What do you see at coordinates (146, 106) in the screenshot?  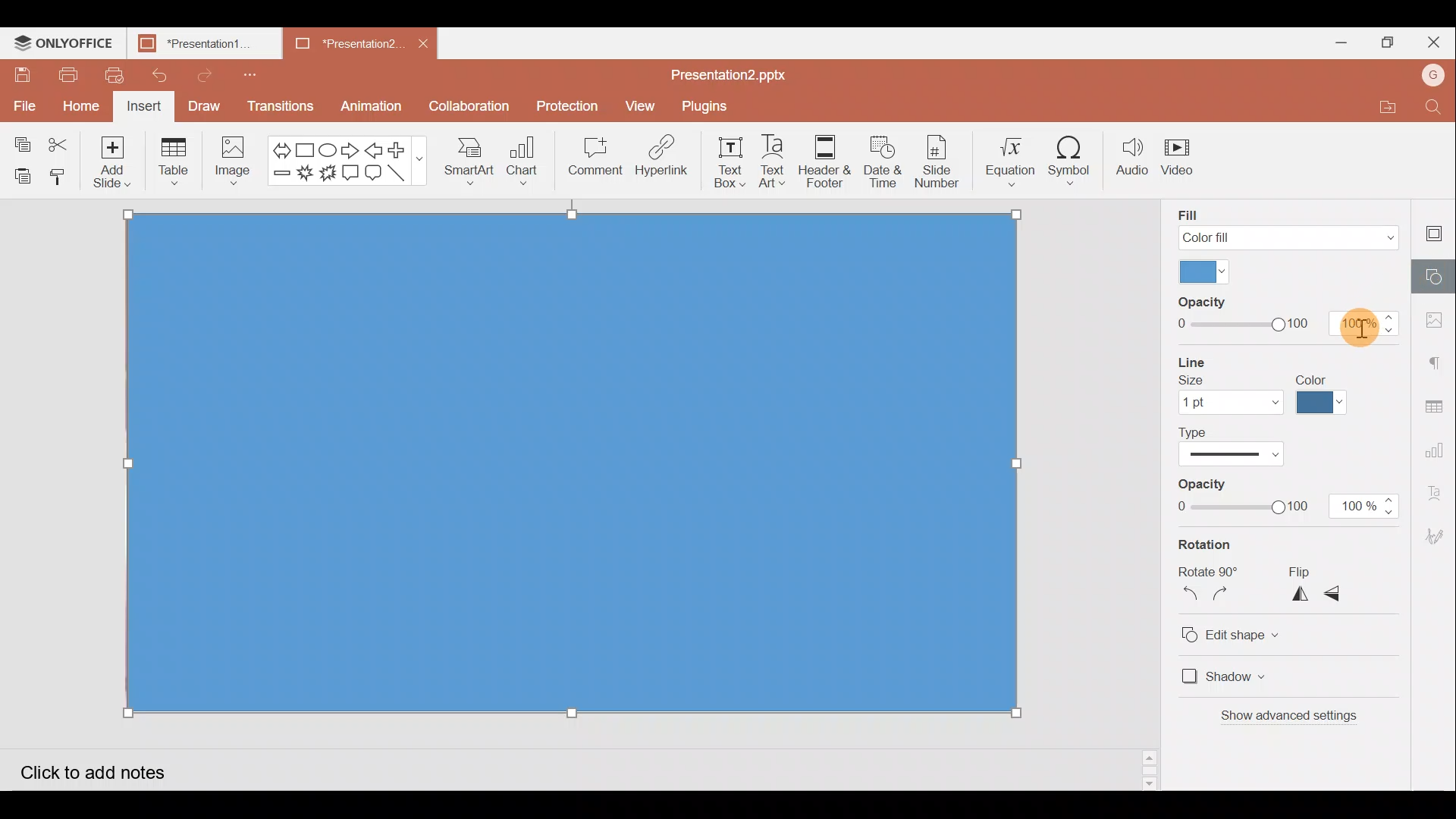 I see `Insert` at bounding box center [146, 106].